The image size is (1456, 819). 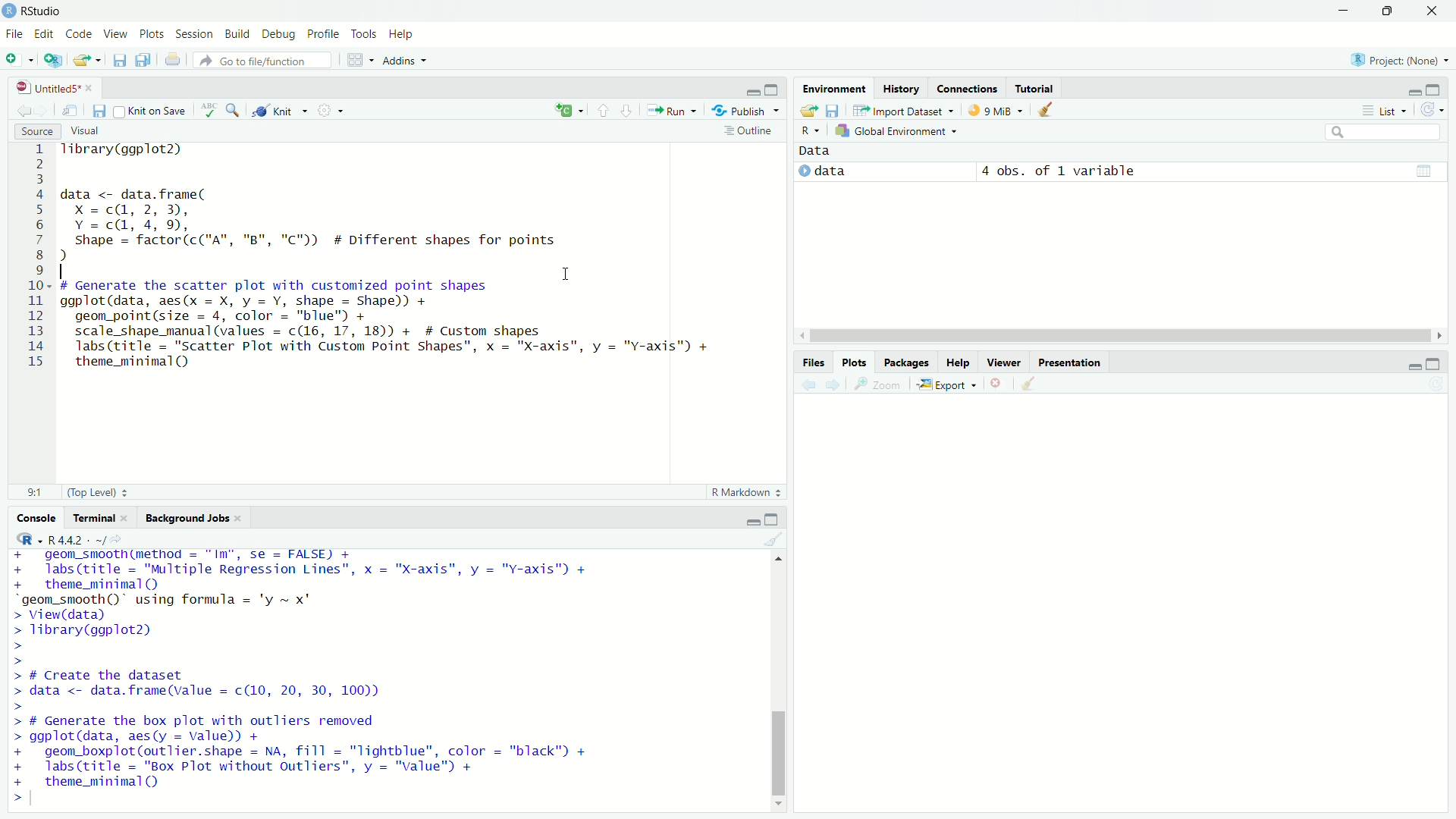 I want to click on restore, so click(x=1389, y=11).